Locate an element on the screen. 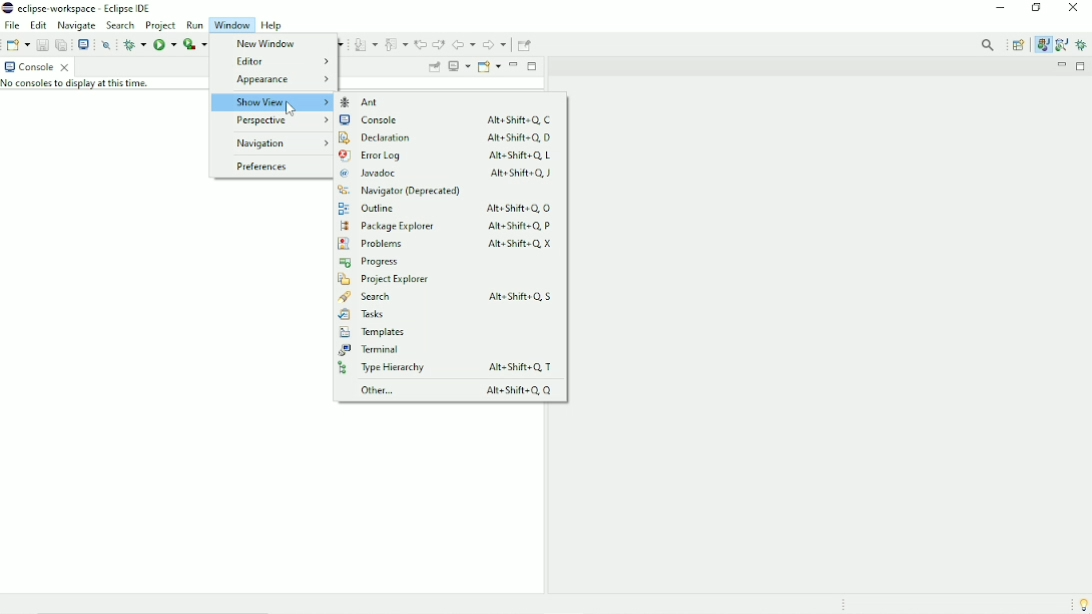 This screenshot has width=1092, height=614. Minimize is located at coordinates (1001, 9).